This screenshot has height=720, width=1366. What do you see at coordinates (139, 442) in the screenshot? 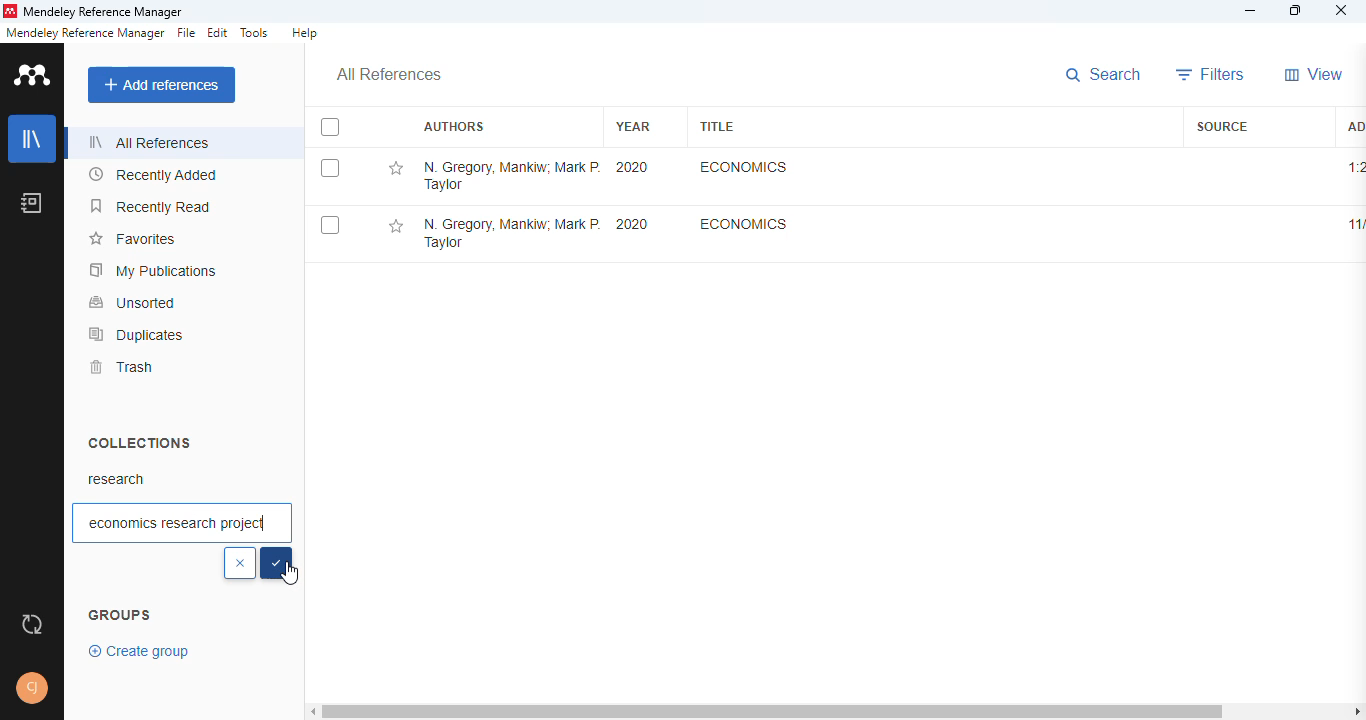
I see `collections` at bounding box center [139, 442].